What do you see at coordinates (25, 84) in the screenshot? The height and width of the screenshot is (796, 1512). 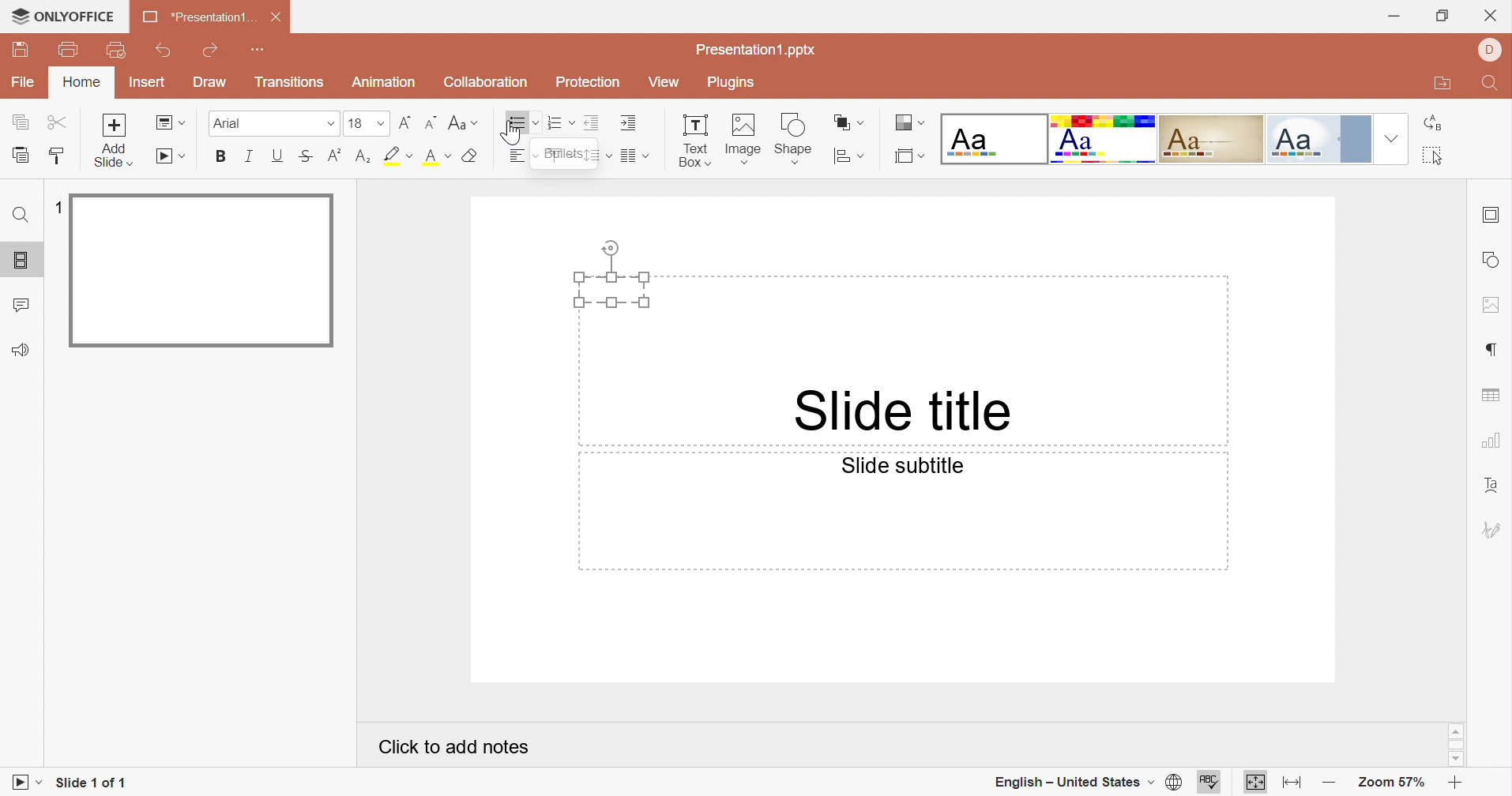 I see `File` at bounding box center [25, 84].